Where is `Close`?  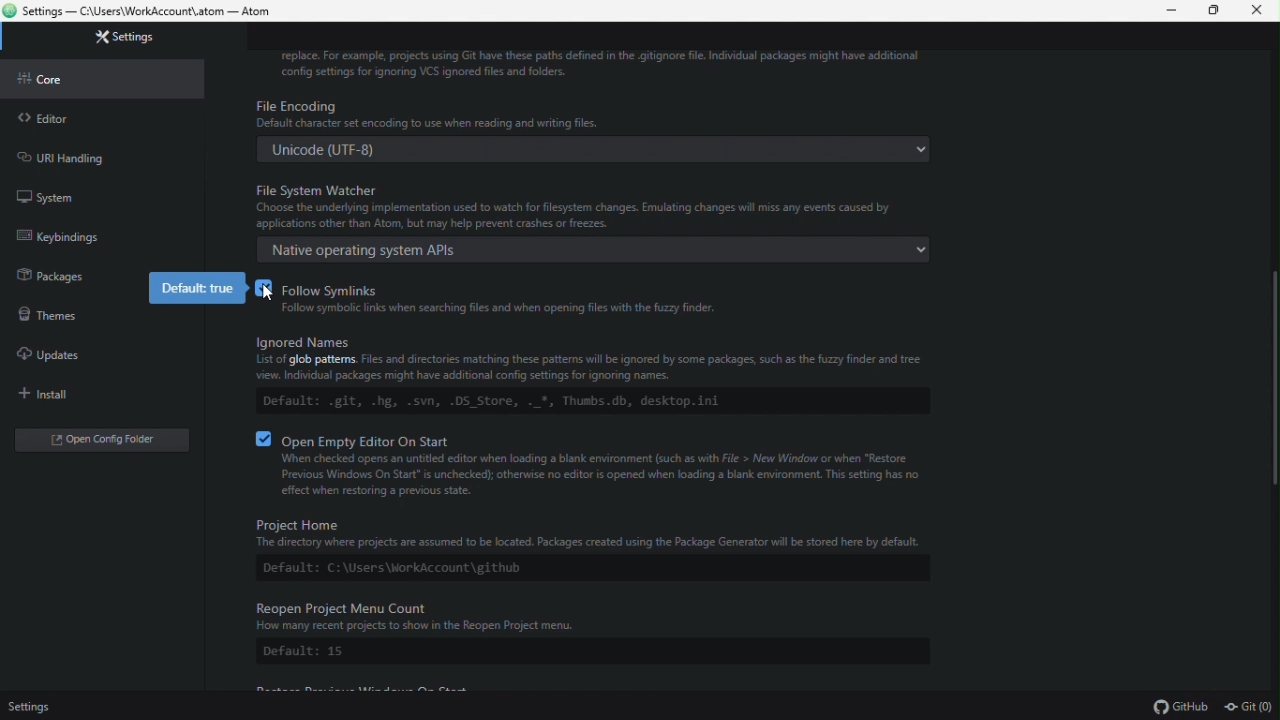
Close is located at coordinates (1258, 11).